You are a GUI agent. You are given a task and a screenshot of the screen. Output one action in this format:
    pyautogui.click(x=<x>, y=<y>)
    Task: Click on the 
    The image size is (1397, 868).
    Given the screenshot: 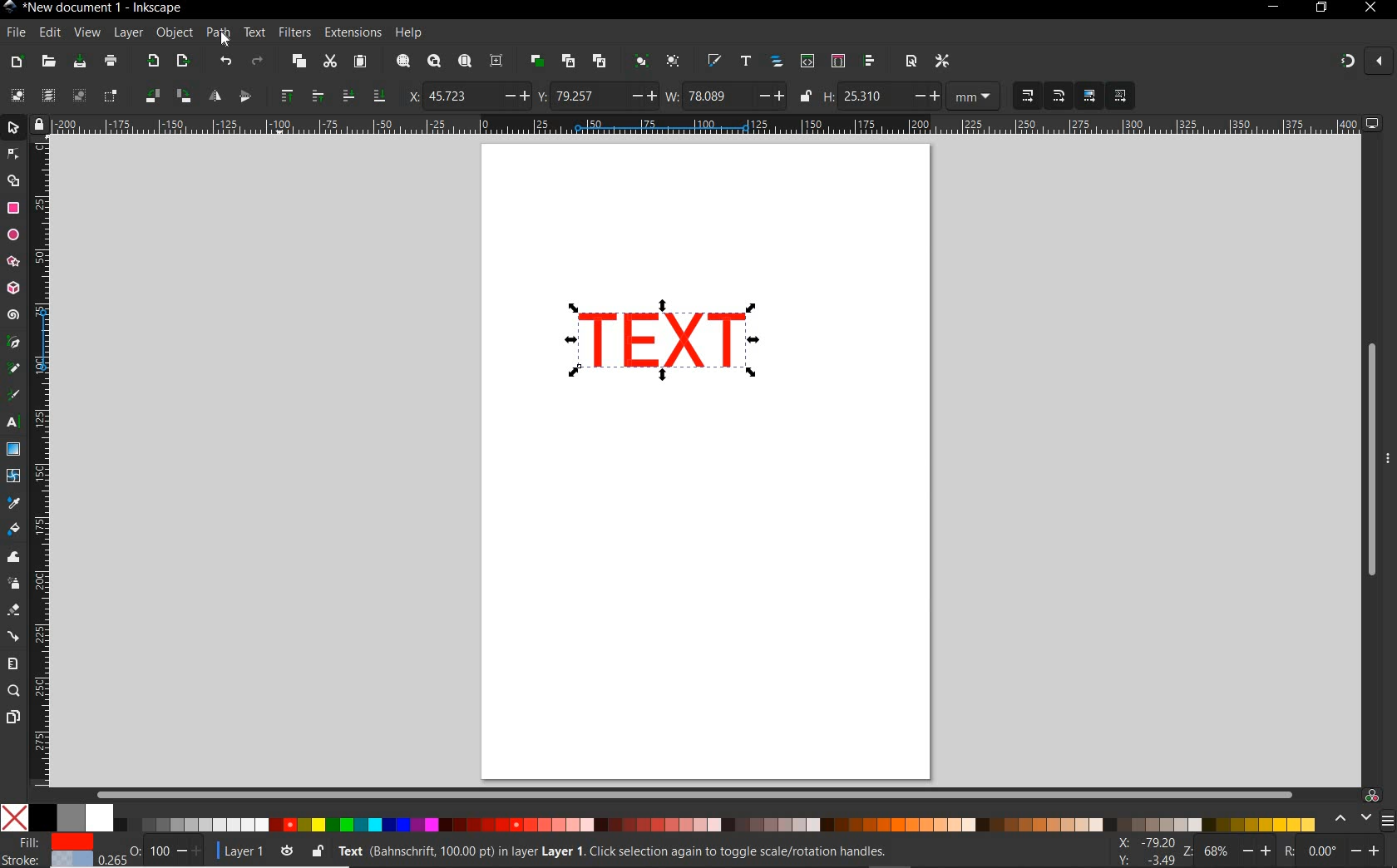 What is the action you would take?
    pyautogui.click(x=1341, y=851)
    